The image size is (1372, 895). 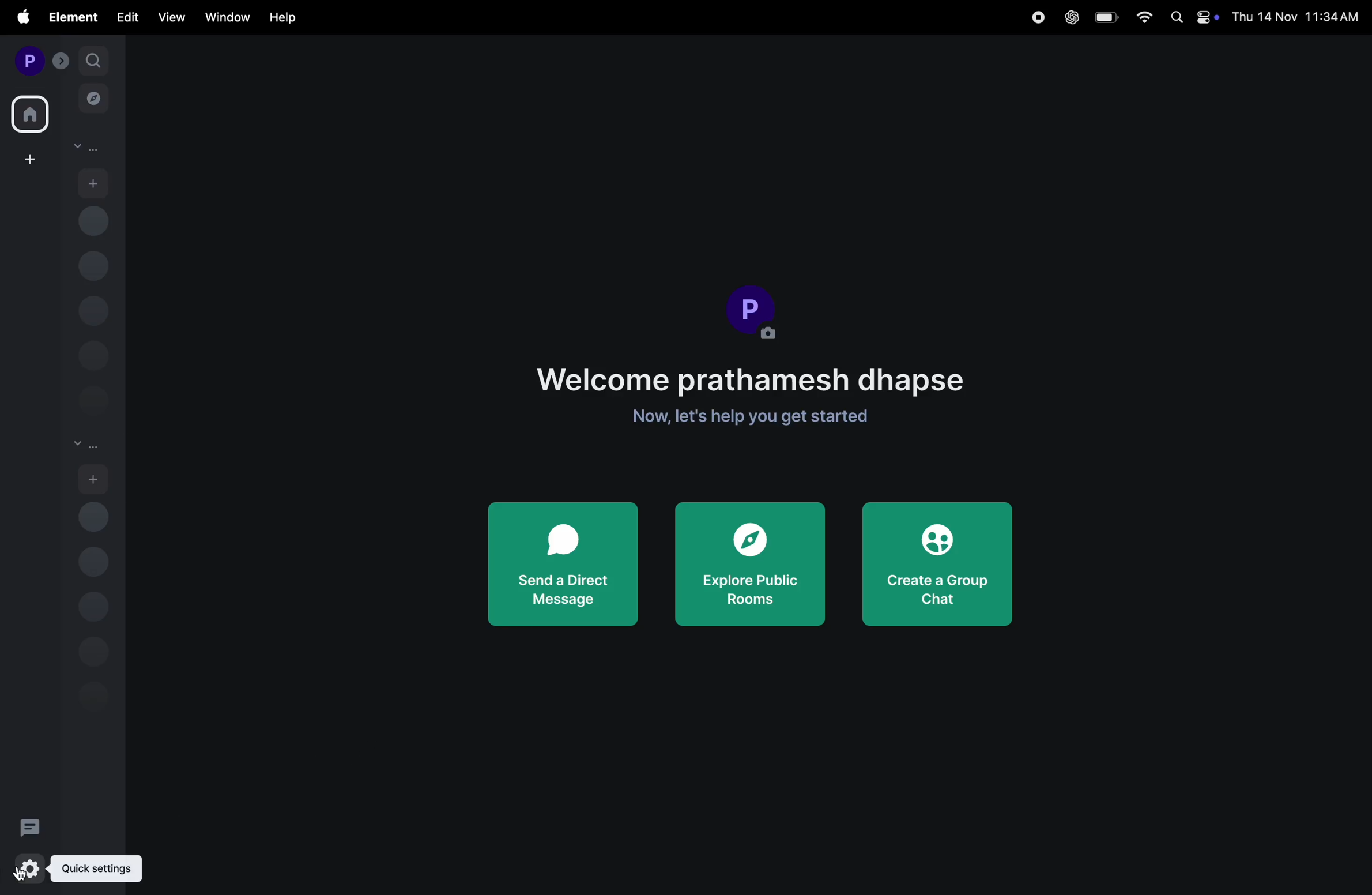 I want to click on chatgpt, so click(x=70, y=873).